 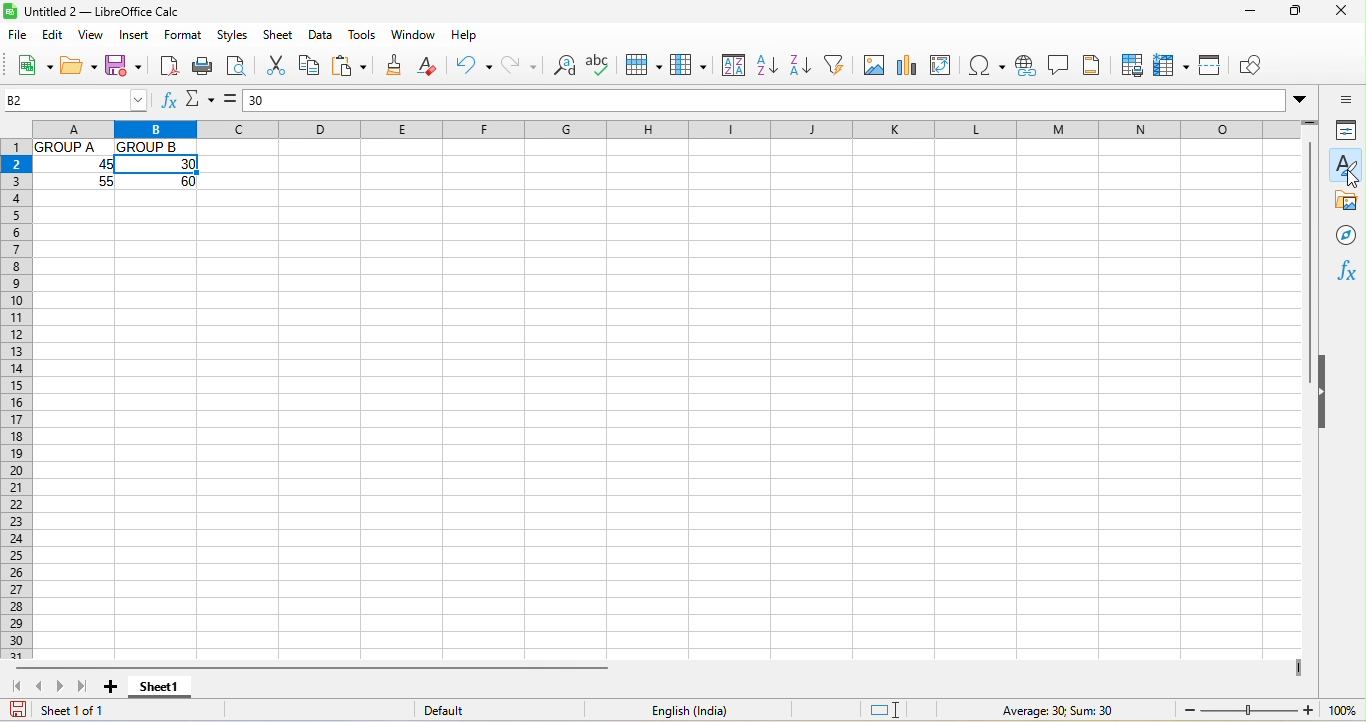 What do you see at coordinates (79, 65) in the screenshot?
I see `open` at bounding box center [79, 65].